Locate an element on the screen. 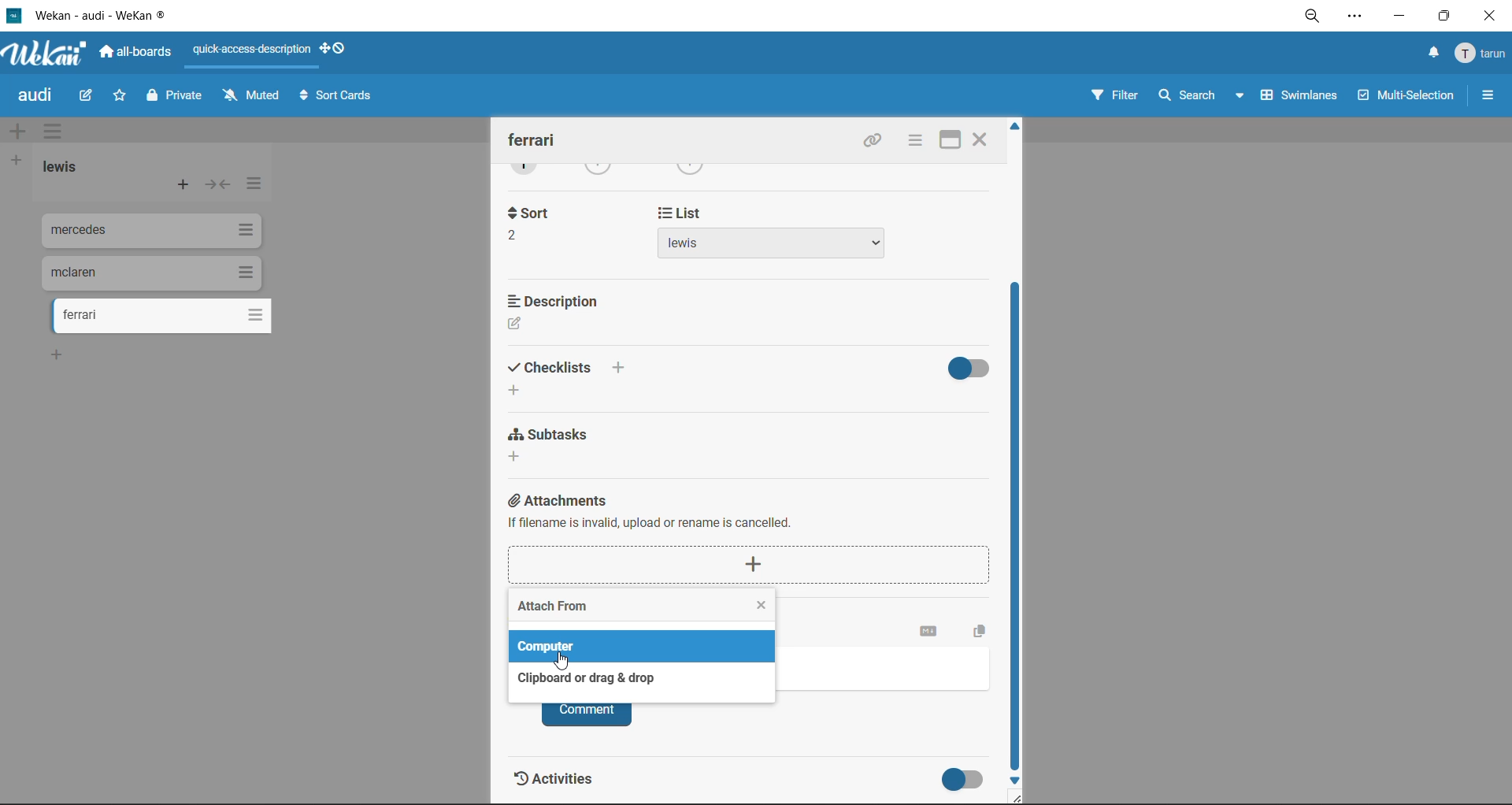 Image resolution: width=1512 pixels, height=805 pixels. markdown is located at coordinates (929, 632).